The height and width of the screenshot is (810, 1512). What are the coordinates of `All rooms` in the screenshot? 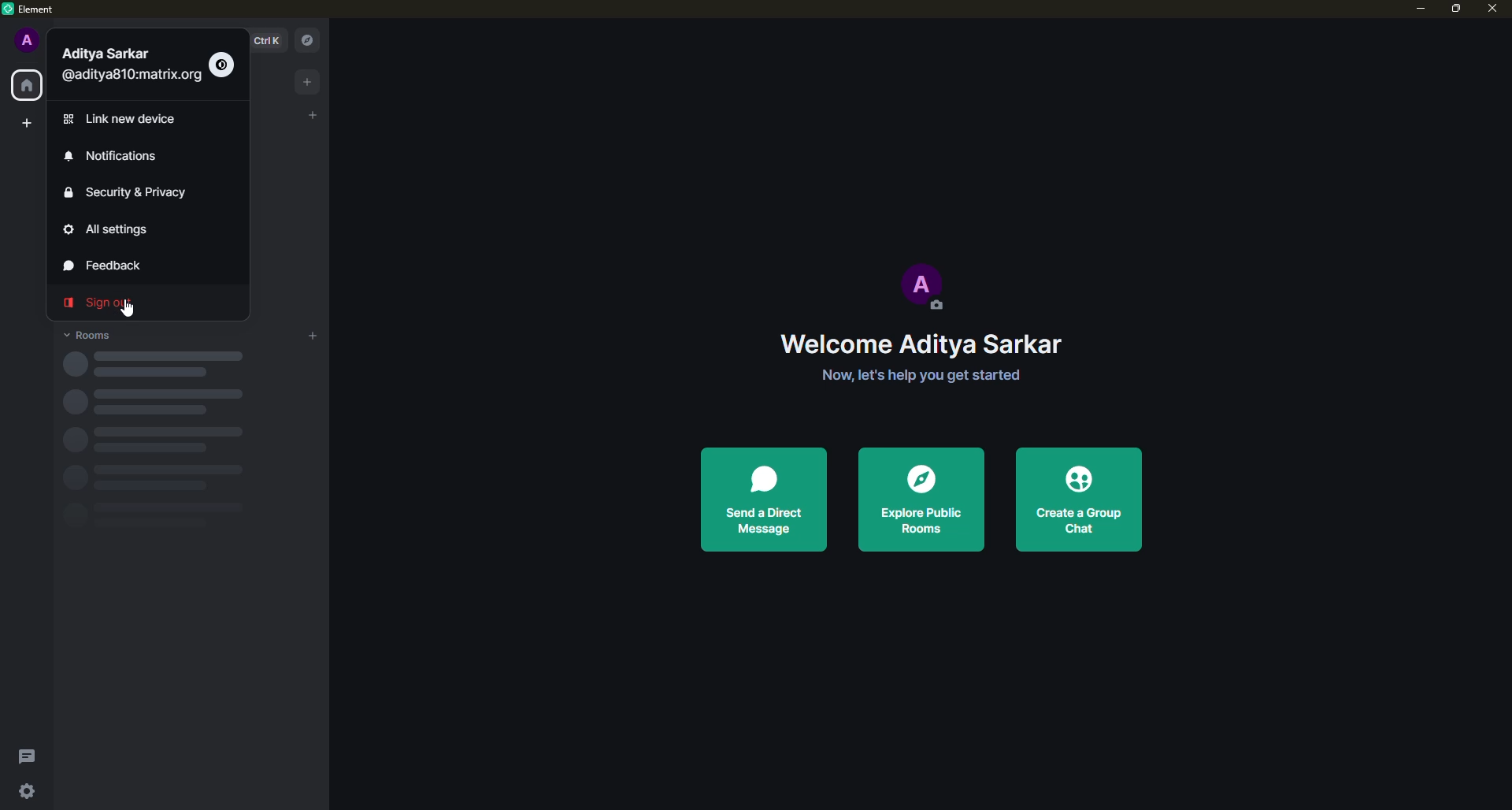 It's located at (27, 86).